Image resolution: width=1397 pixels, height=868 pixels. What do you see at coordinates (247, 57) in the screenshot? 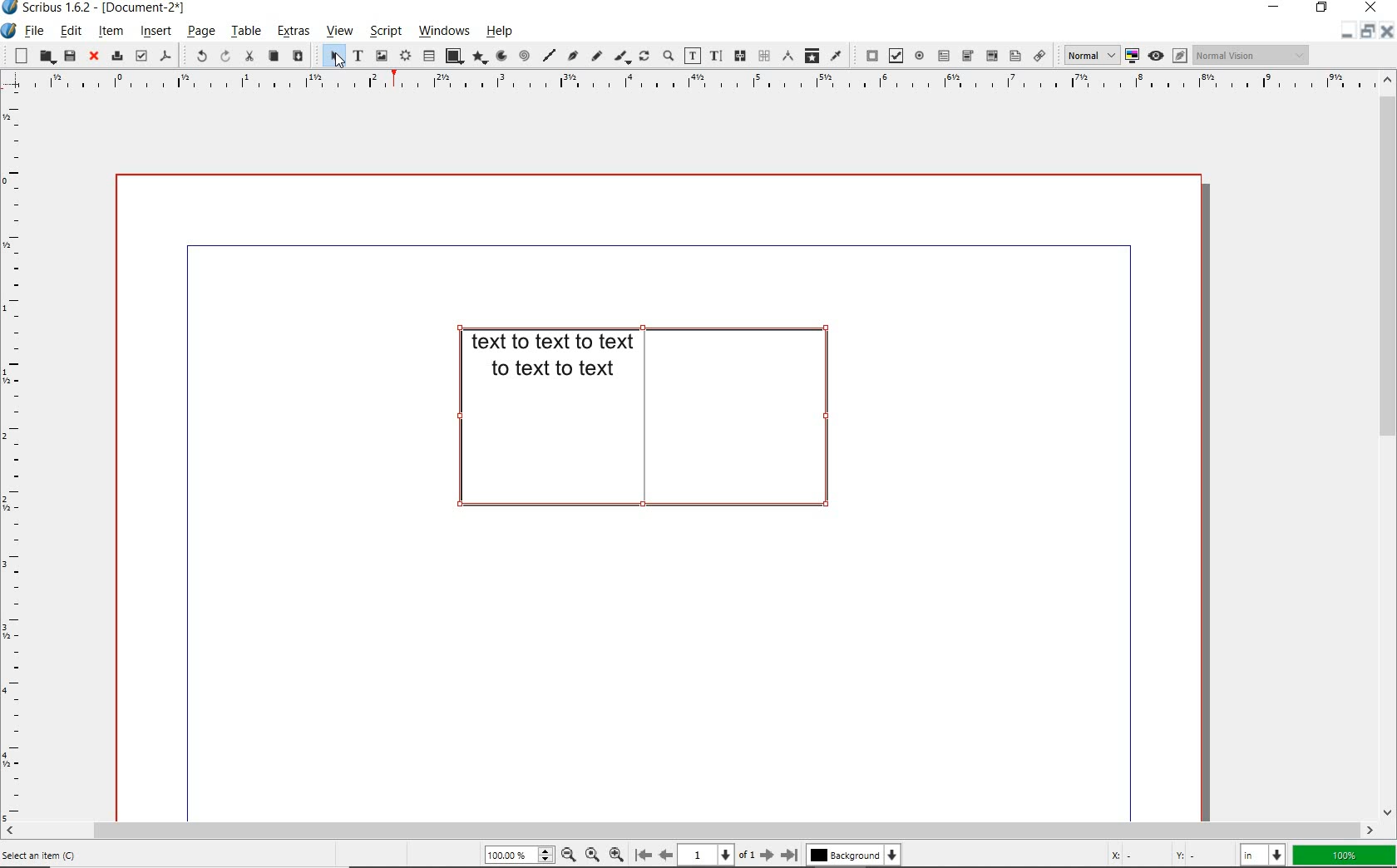
I see `cut` at bounding box center [247, 57].